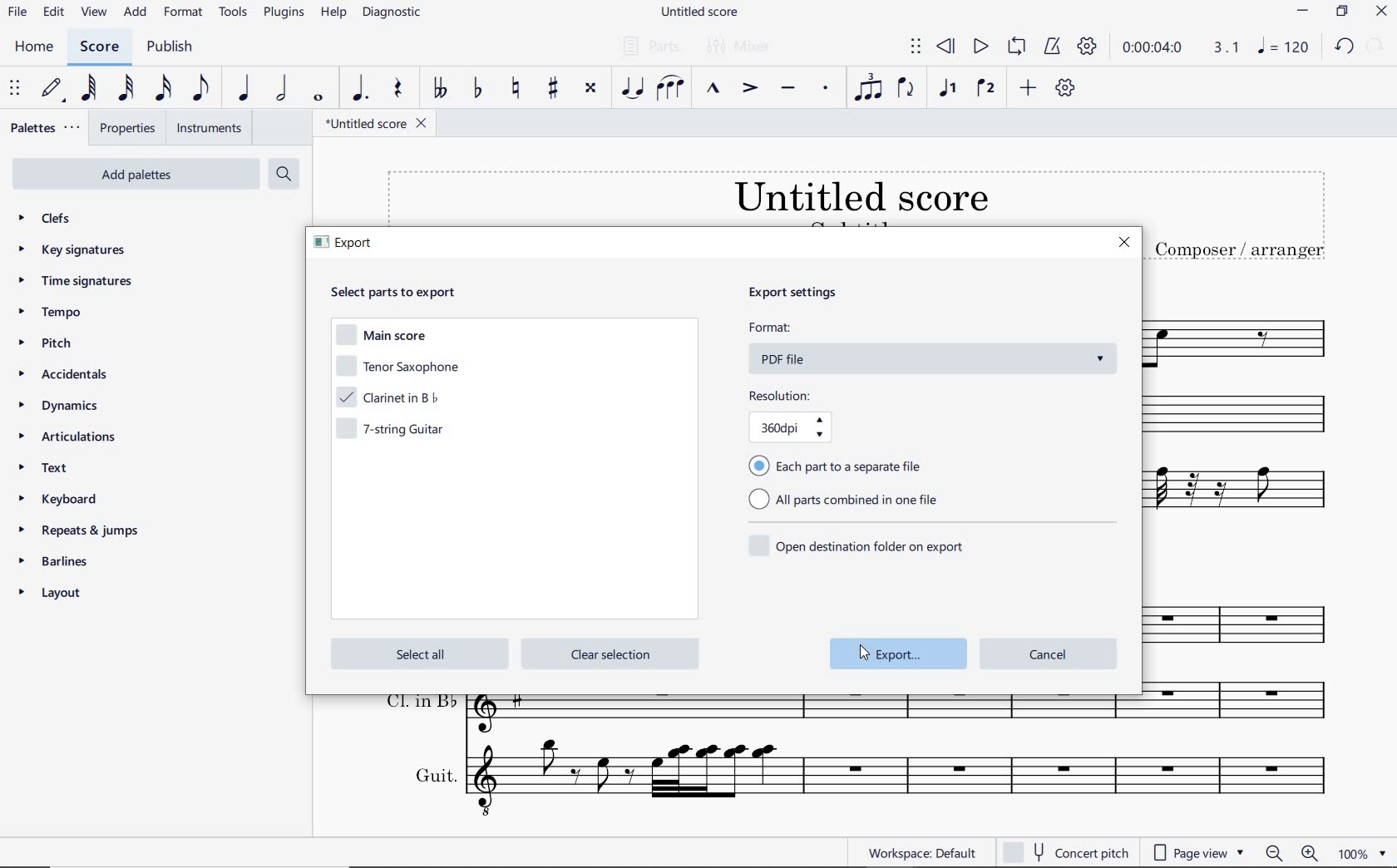 Image resolution: width=1397 pixels, height=868 pixels. I want to click on close, so click(1124, 244).